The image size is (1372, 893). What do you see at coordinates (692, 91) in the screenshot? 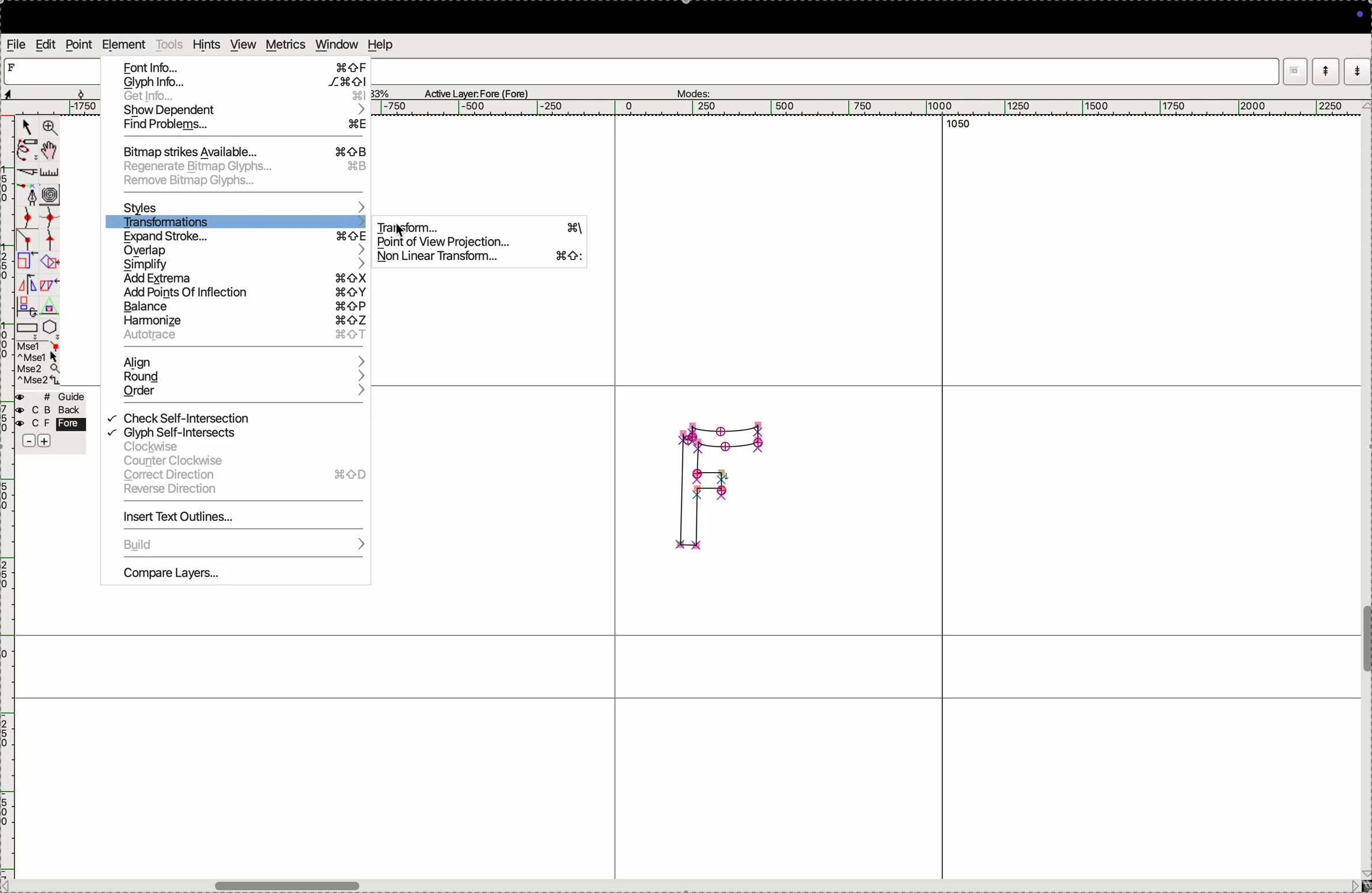
I see `modes` at bounding box center [692, 91].